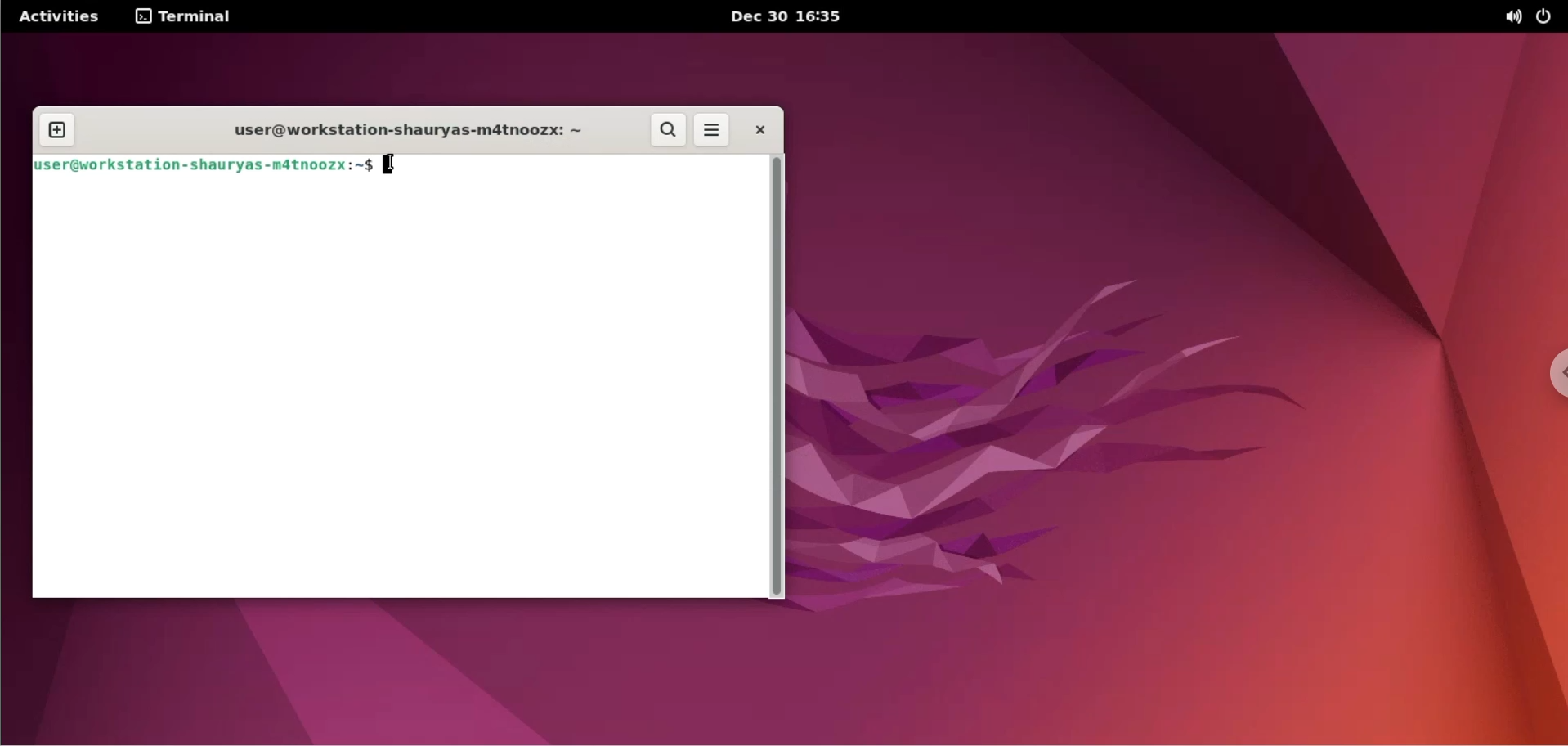 Image resolution: width=1568 pixels, height=746 pixels. I want to click on power options, so click(1548, 17).